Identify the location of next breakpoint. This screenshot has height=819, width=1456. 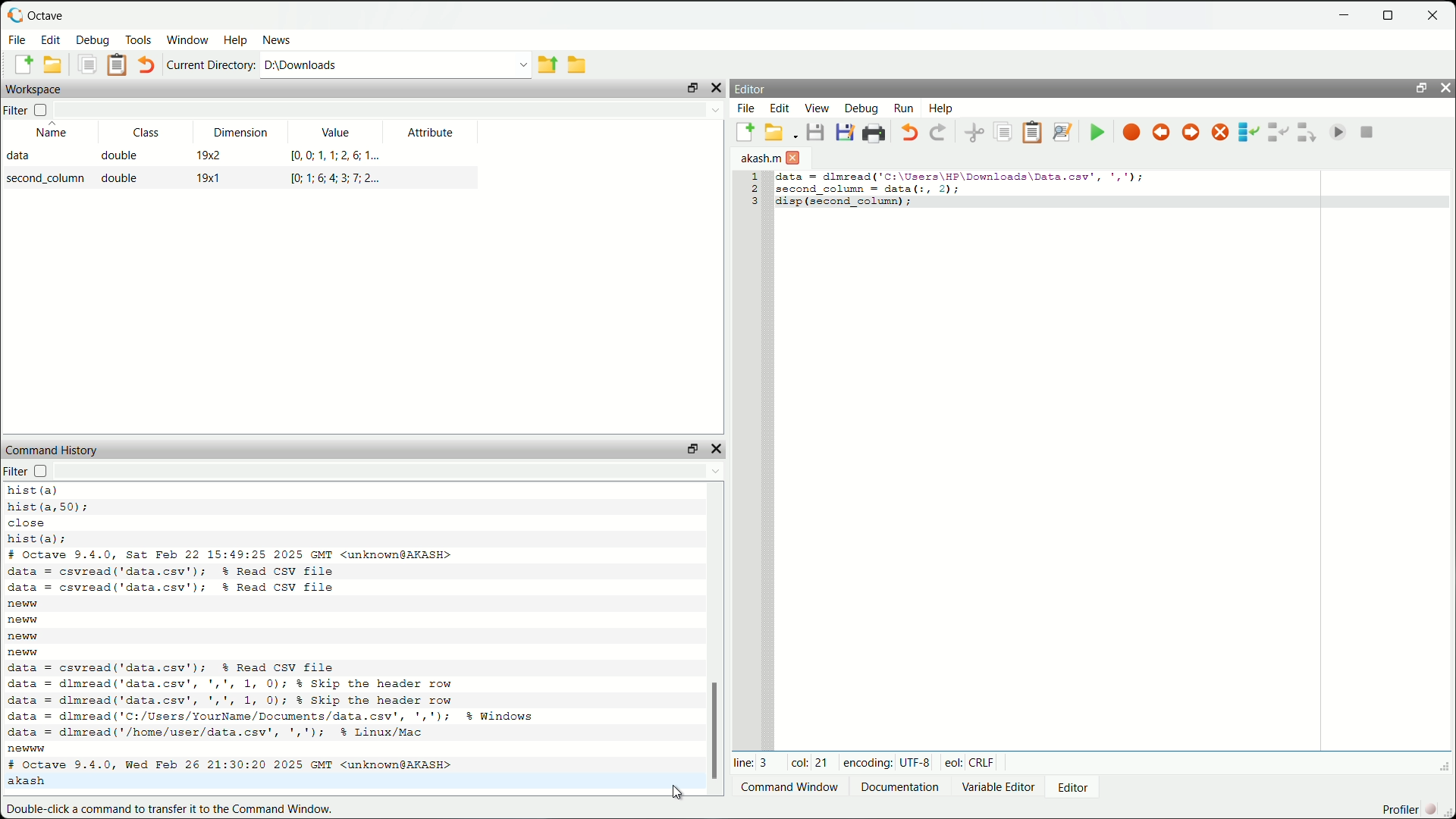
(1189, 133).